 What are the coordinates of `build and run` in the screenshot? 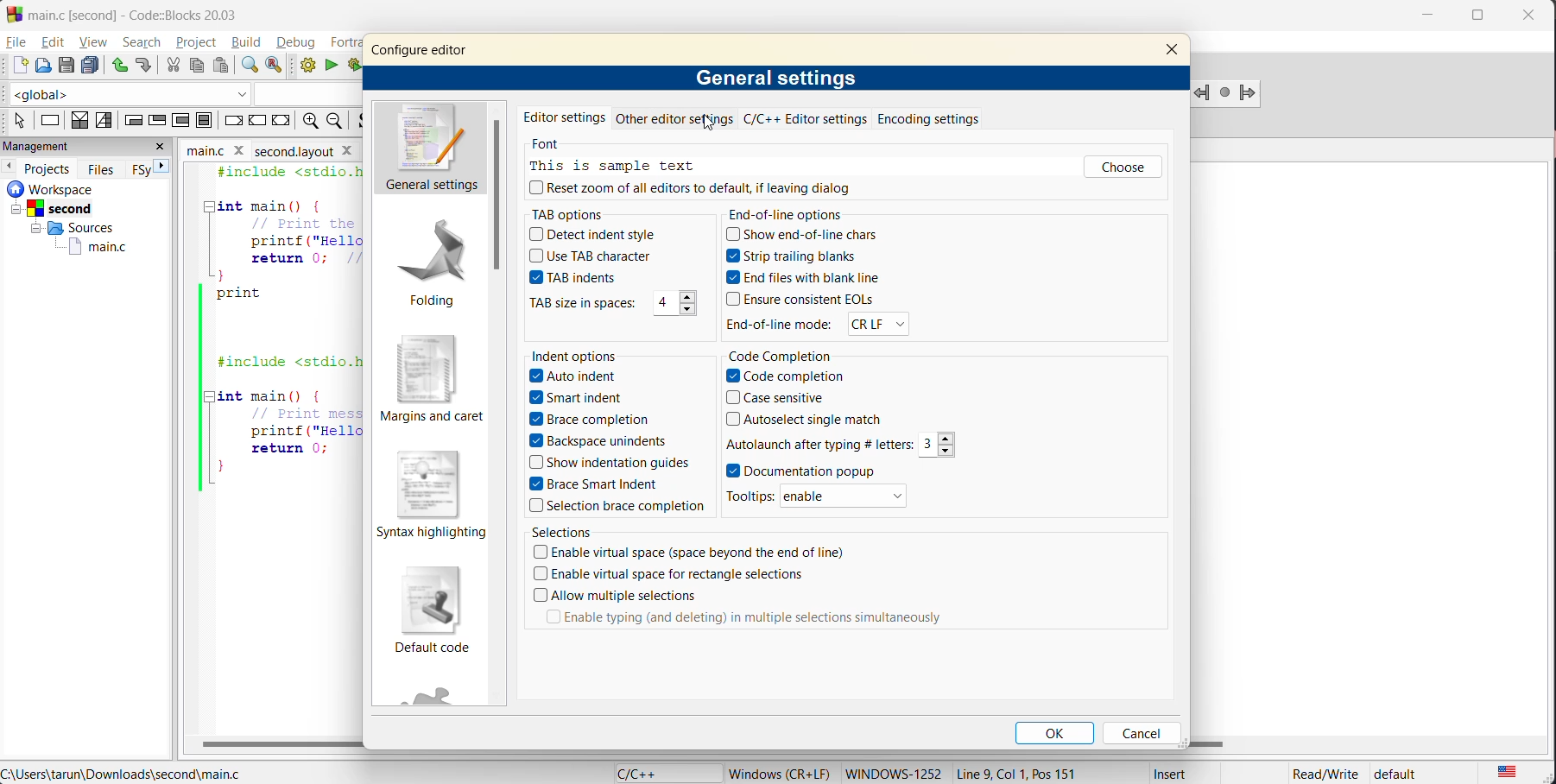 It's located at (355, 66).